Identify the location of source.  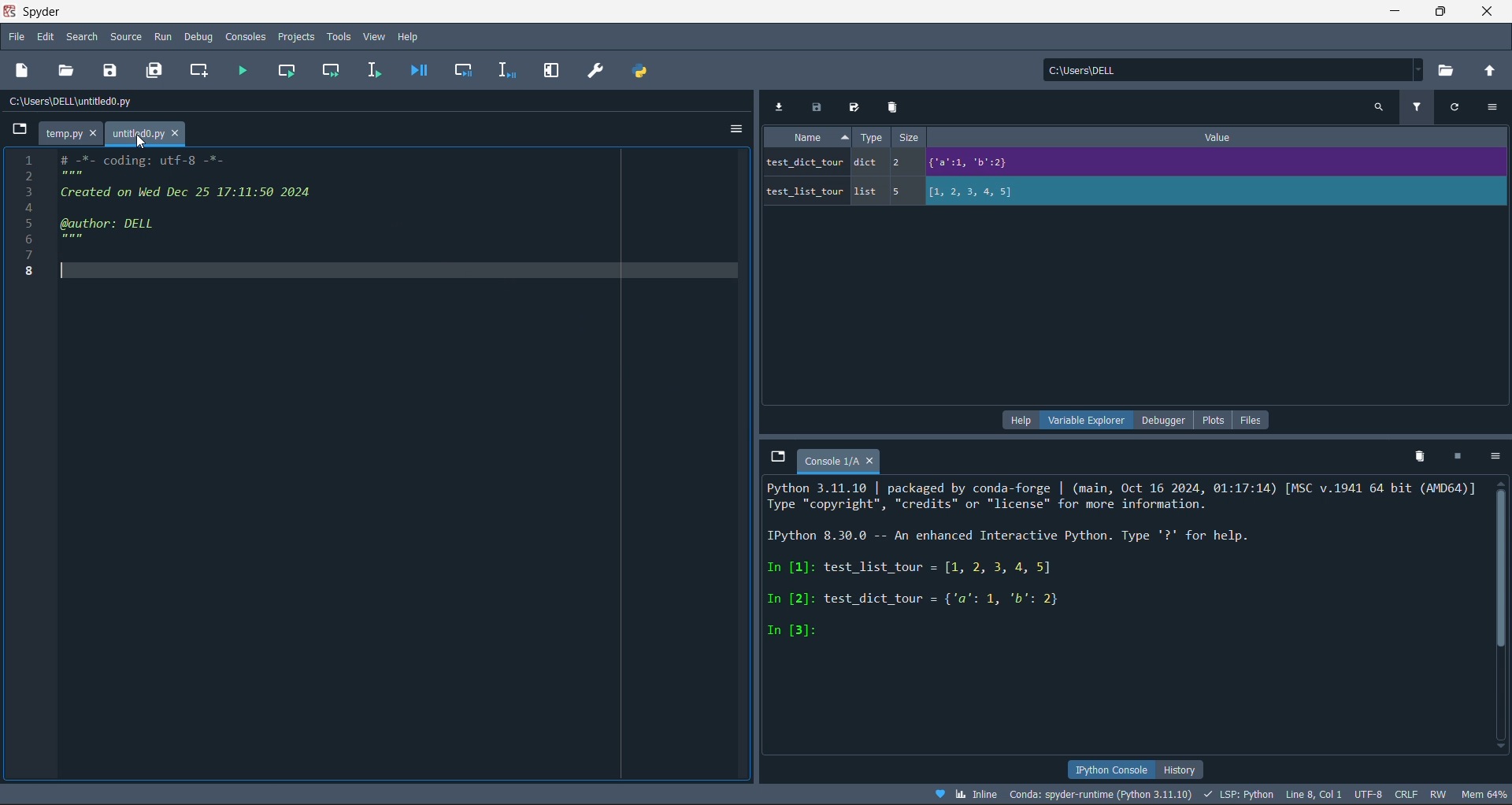
(130, 36).